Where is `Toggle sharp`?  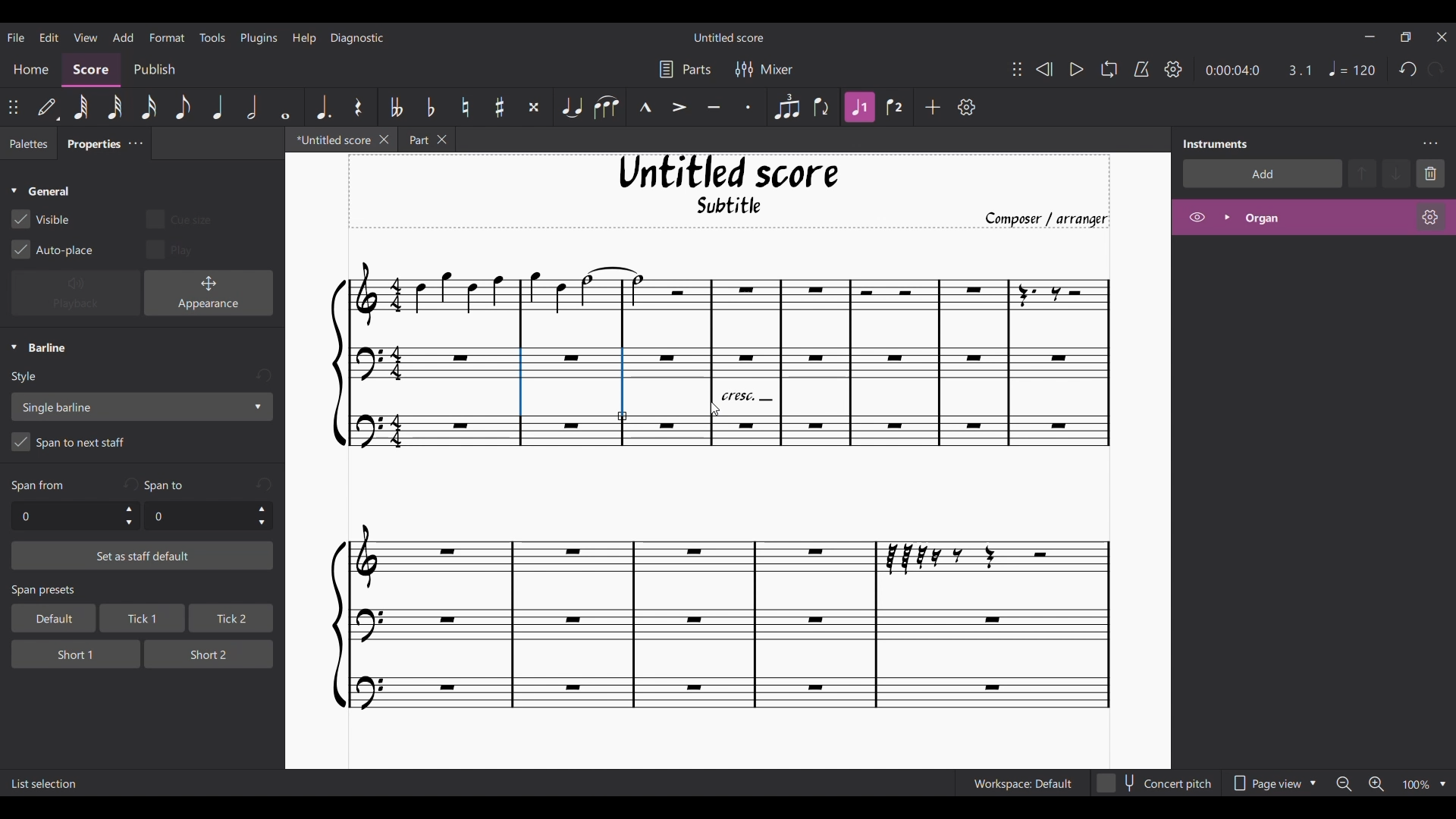 Toggle sharp is located at coordinates (500, 108).